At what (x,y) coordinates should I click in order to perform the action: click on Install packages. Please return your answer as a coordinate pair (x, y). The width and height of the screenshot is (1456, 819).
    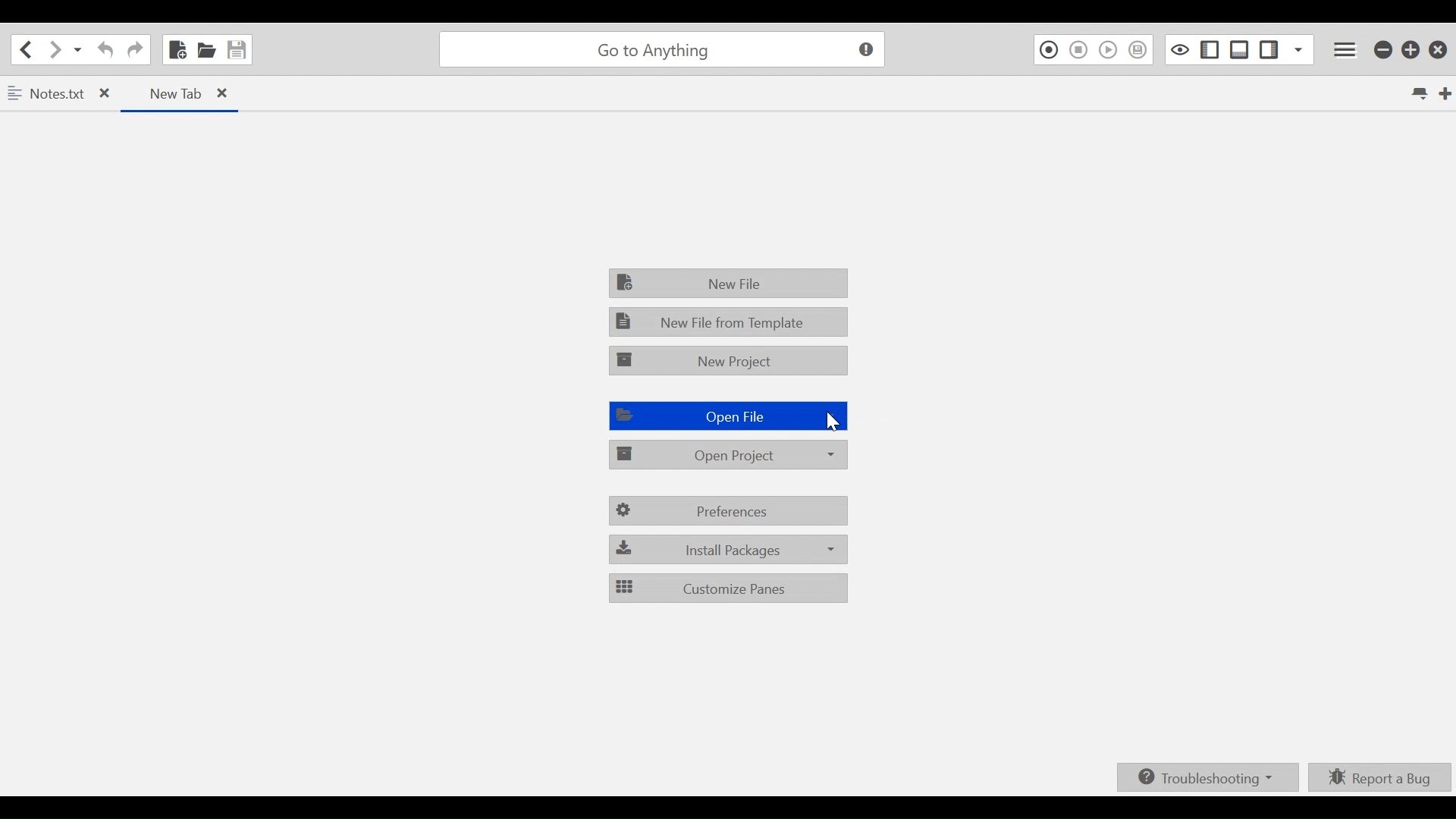
    Looking at the image, I should click on (726, 548).